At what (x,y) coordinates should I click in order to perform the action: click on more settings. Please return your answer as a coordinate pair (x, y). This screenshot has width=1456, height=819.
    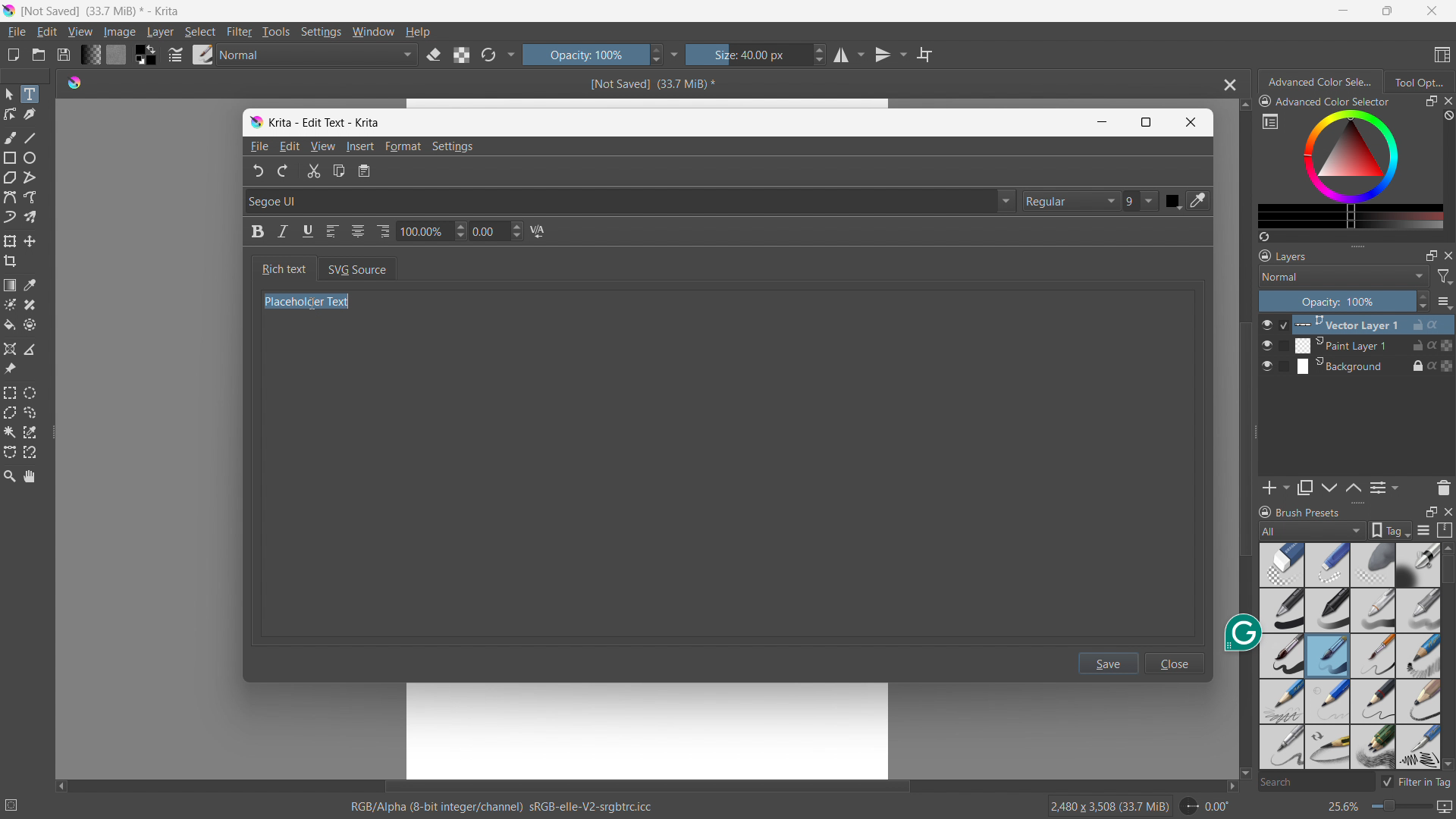
    Looking at the image, I should click on (1270, 121).